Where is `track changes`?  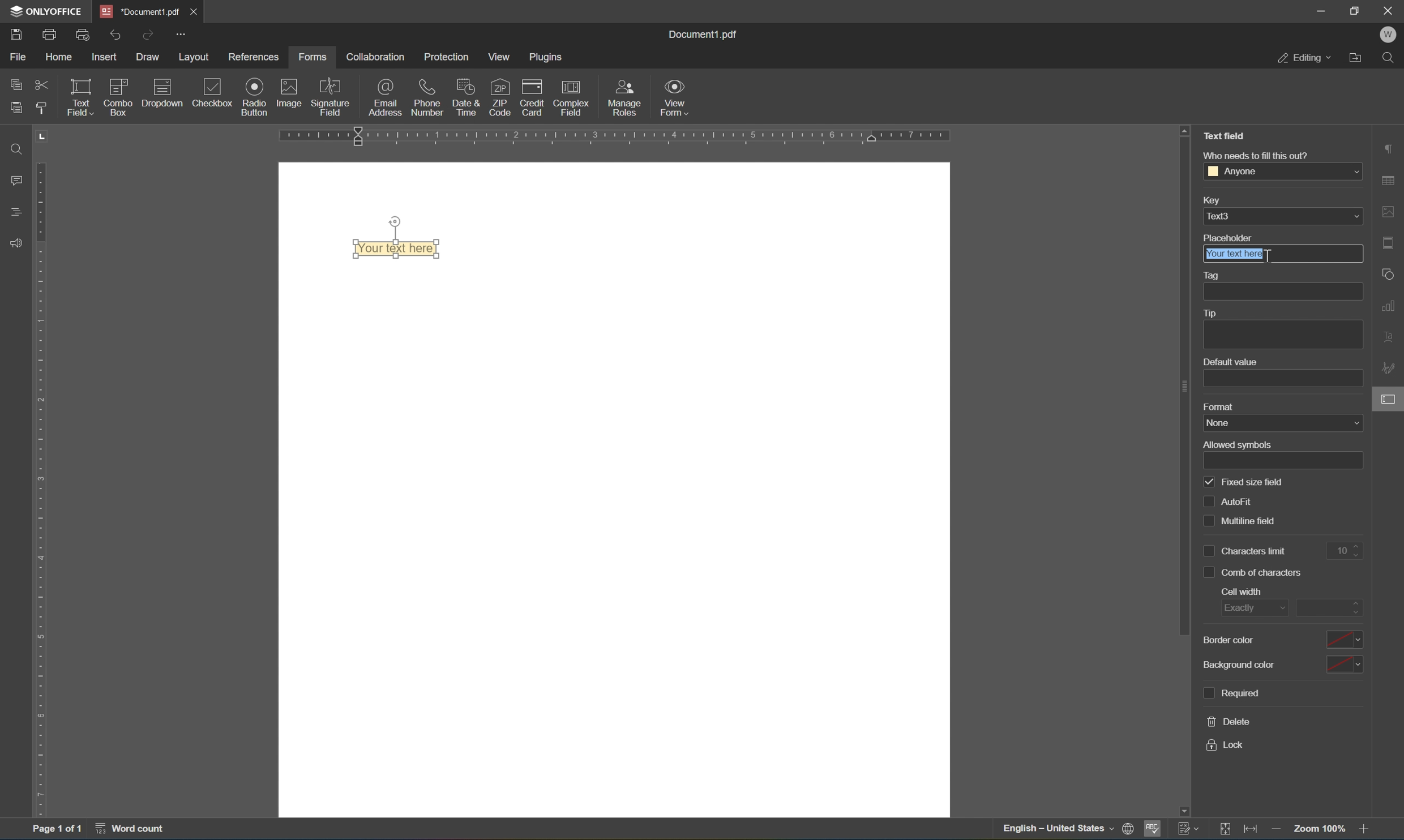 track changes is located at coordinates (1192, 830).